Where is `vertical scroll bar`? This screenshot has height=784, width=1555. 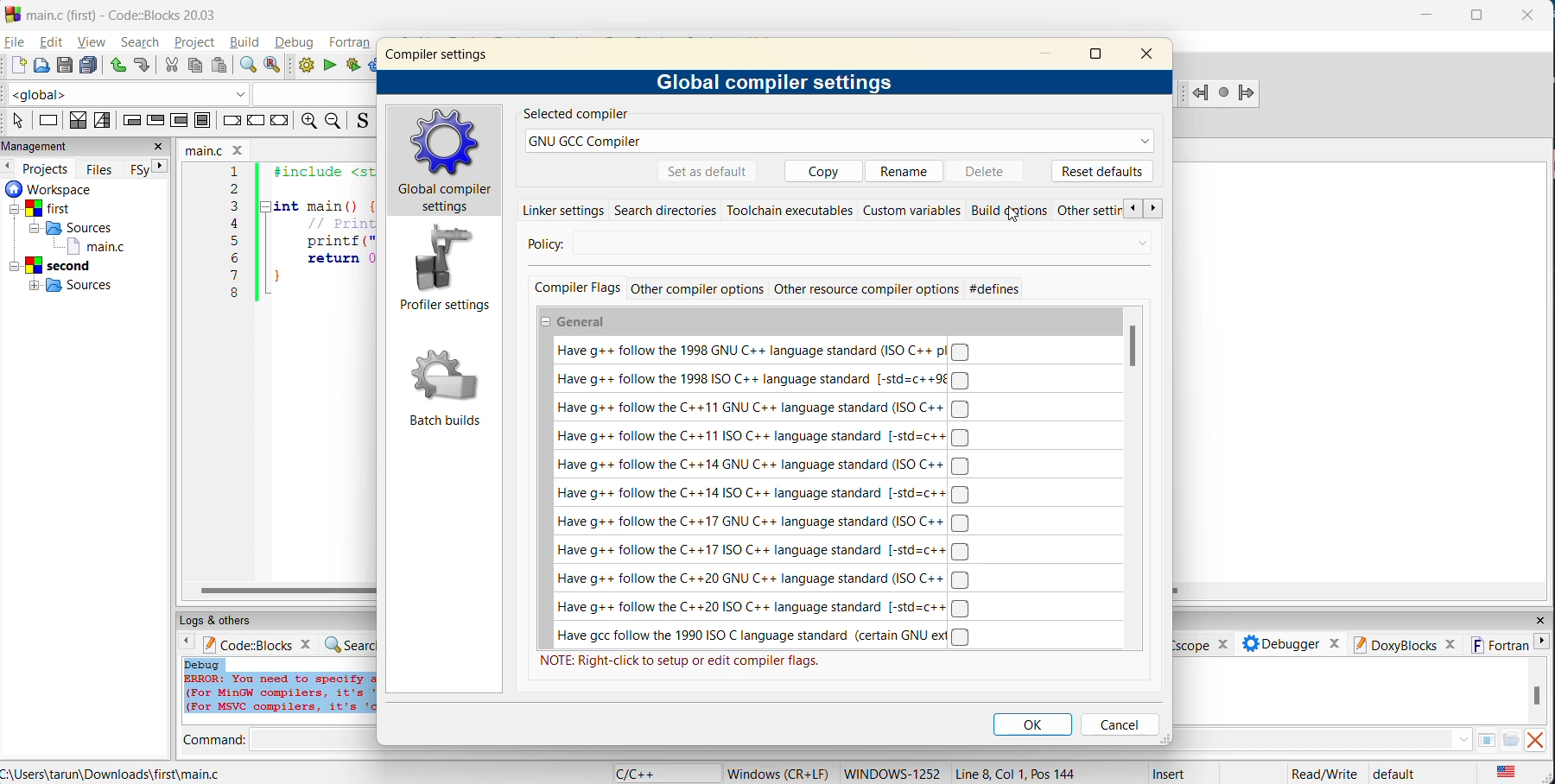 vertical scroll bar is located at coordinates (1134, 349).